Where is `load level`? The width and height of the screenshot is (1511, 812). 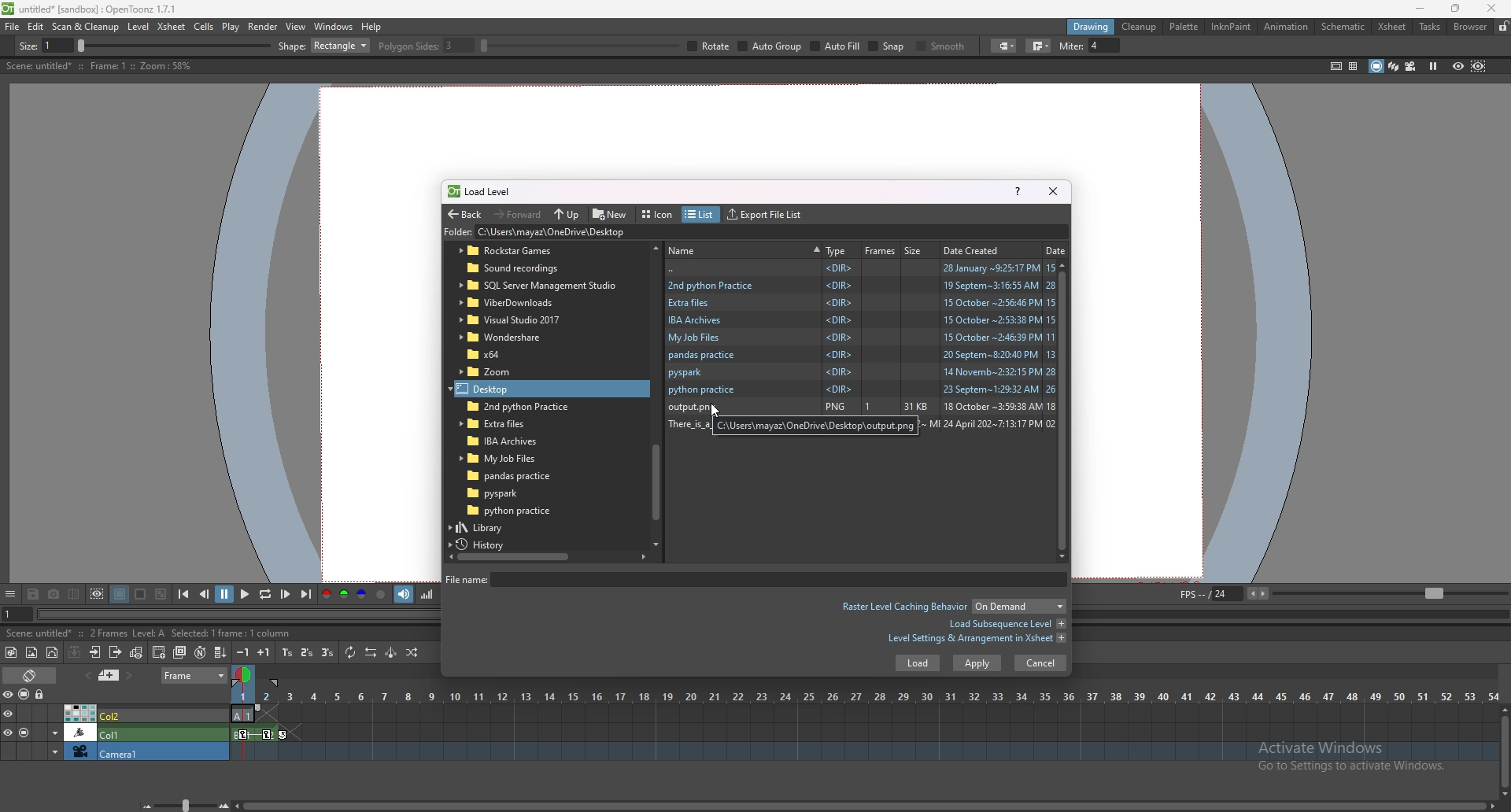 load level is located at coordinates (486, 191).